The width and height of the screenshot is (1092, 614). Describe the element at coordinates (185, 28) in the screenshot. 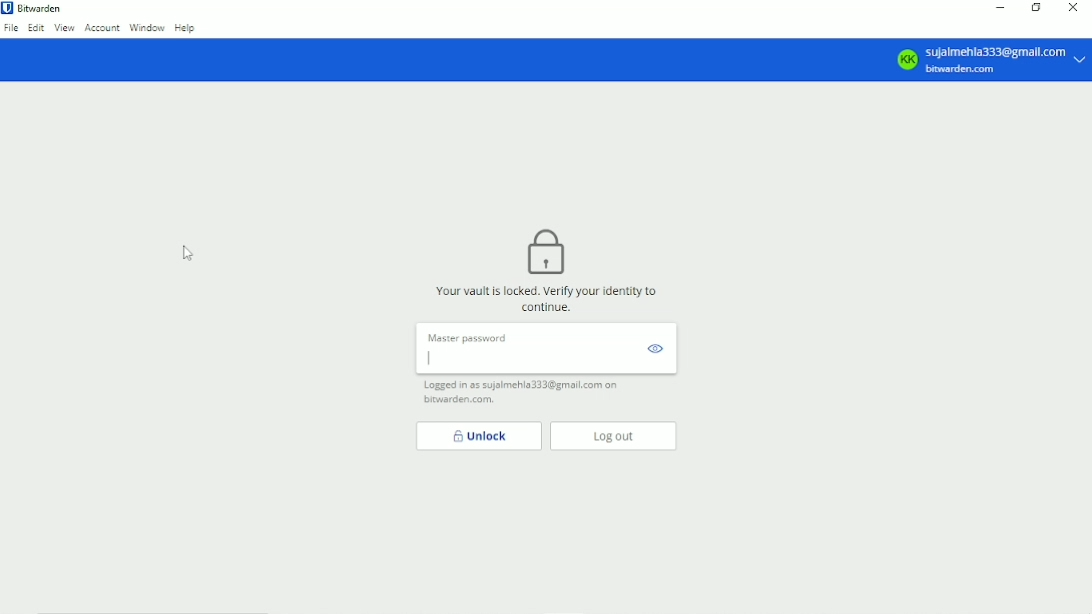

I see `Help` at that location.